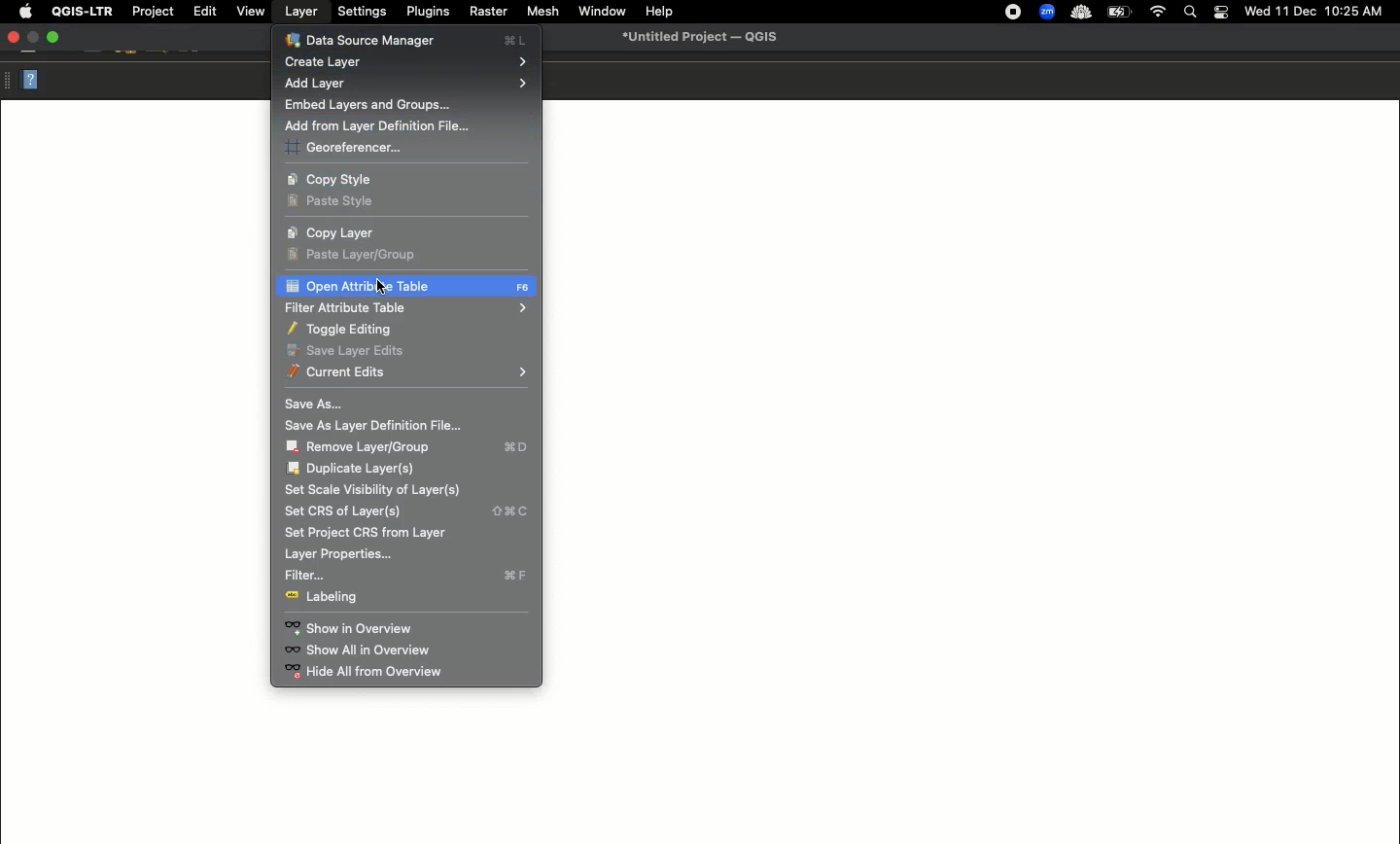 Image resolution: width=1400 pixels, height=844 pixels. Describe the element at coordinates (540, 11) in the screenshot. I see `Mesh` at that location.